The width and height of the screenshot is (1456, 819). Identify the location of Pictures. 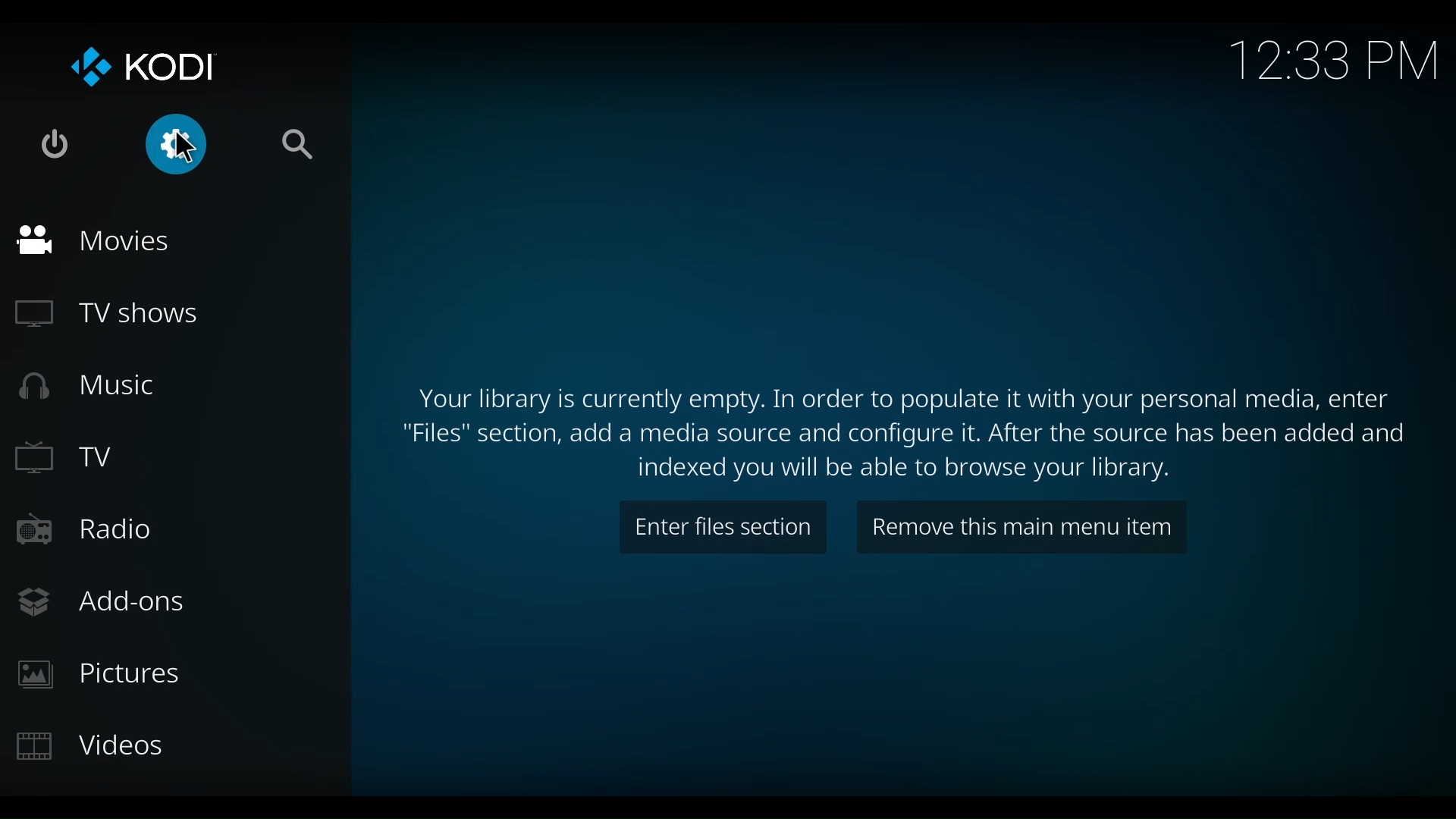
(102, 673).